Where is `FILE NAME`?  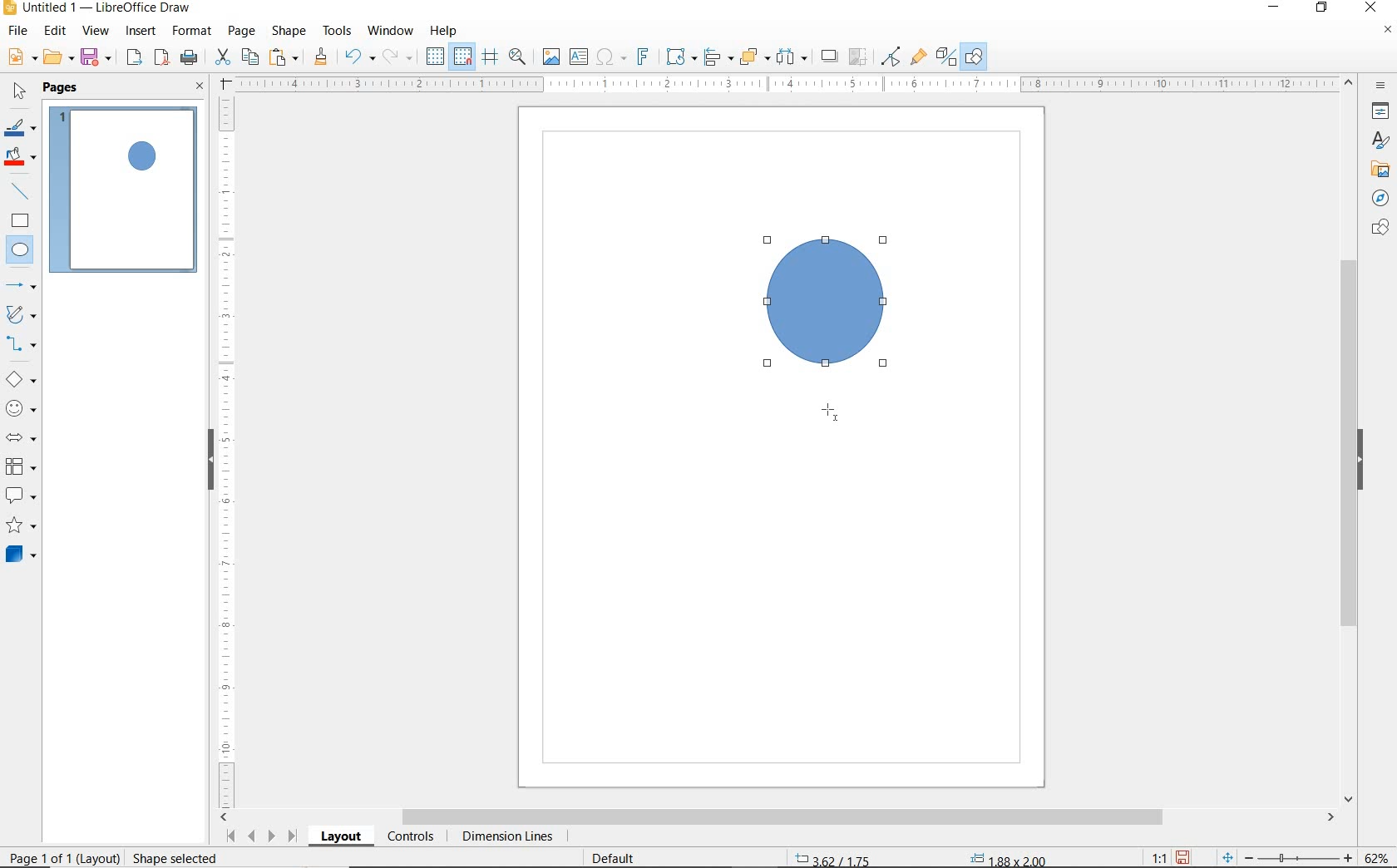
FILE NAME is located at coordinates (96, 9).